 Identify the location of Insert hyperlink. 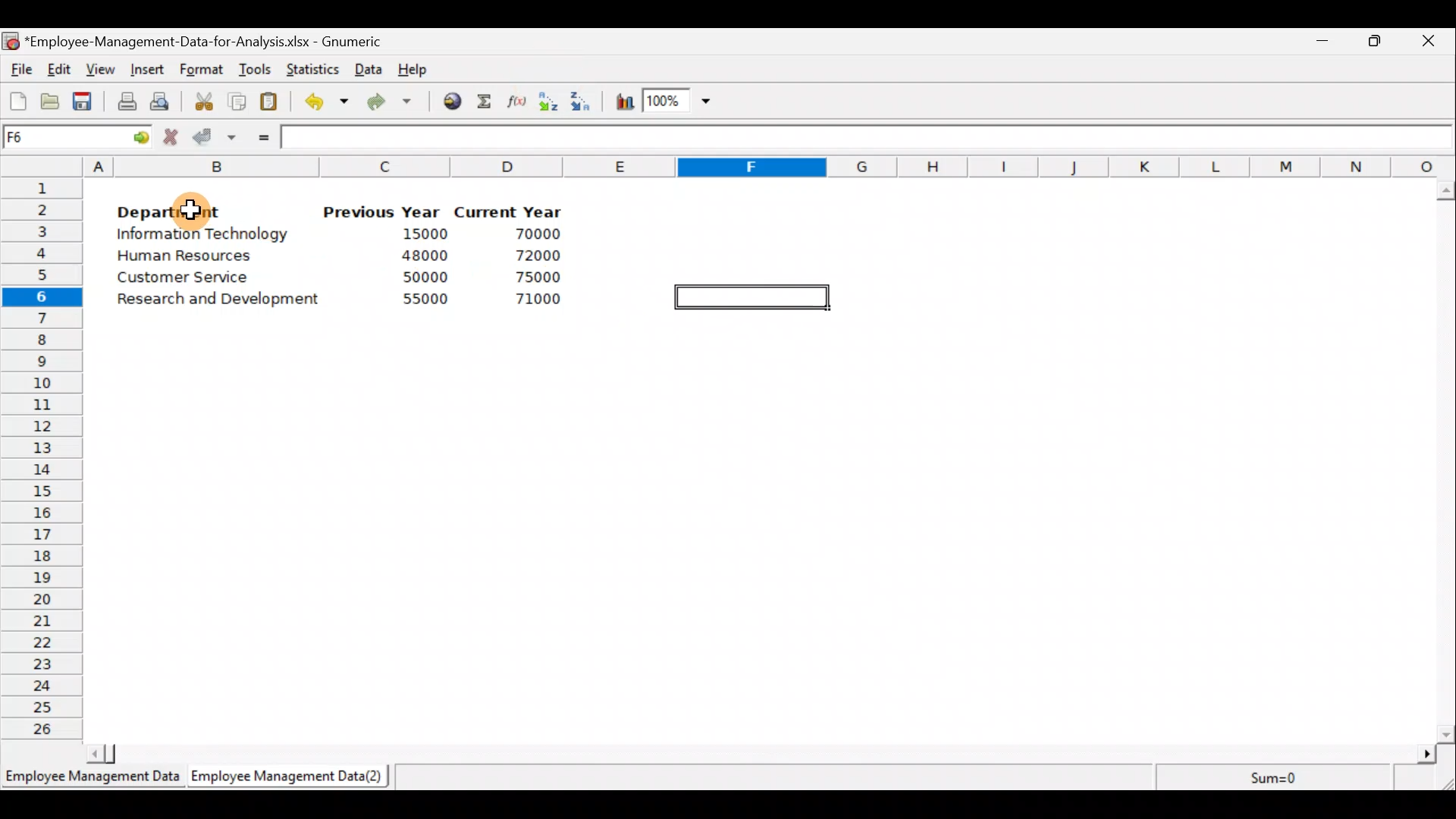
(447, 100).